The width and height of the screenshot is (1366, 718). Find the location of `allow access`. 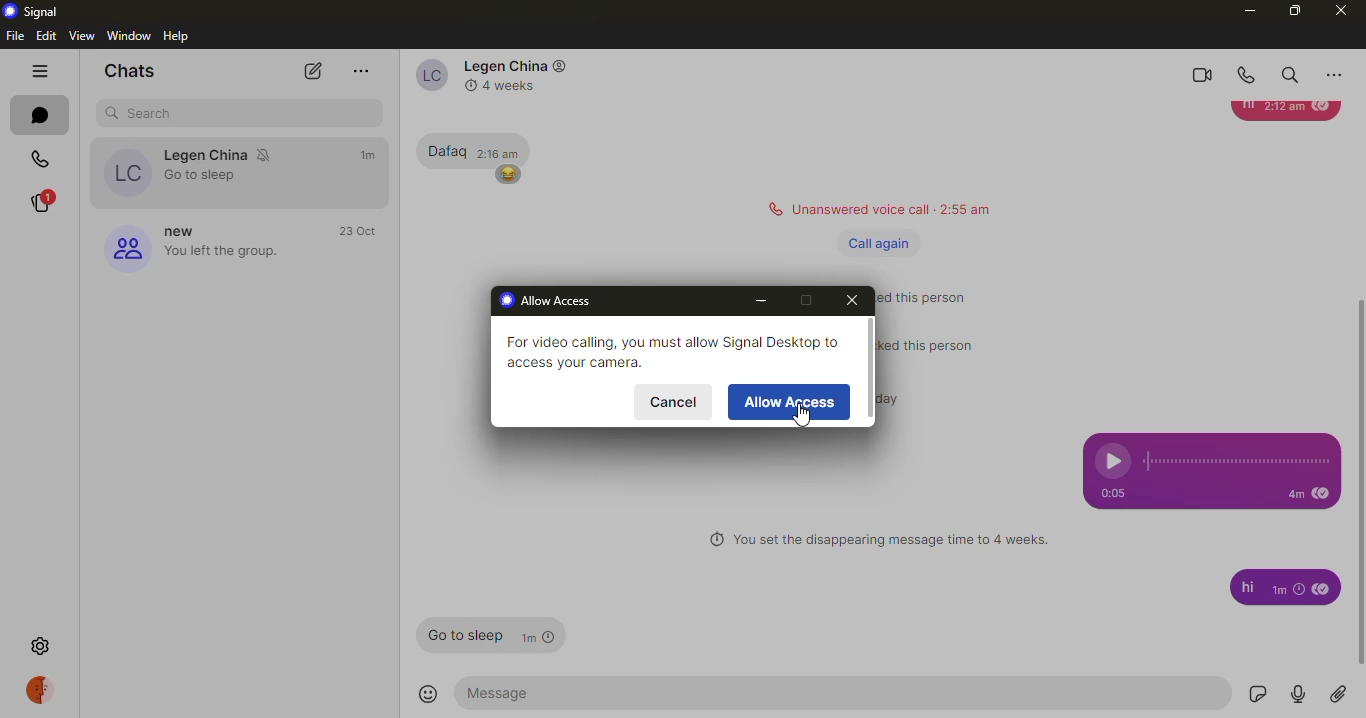

allow access is located at coordinates (551, 301).